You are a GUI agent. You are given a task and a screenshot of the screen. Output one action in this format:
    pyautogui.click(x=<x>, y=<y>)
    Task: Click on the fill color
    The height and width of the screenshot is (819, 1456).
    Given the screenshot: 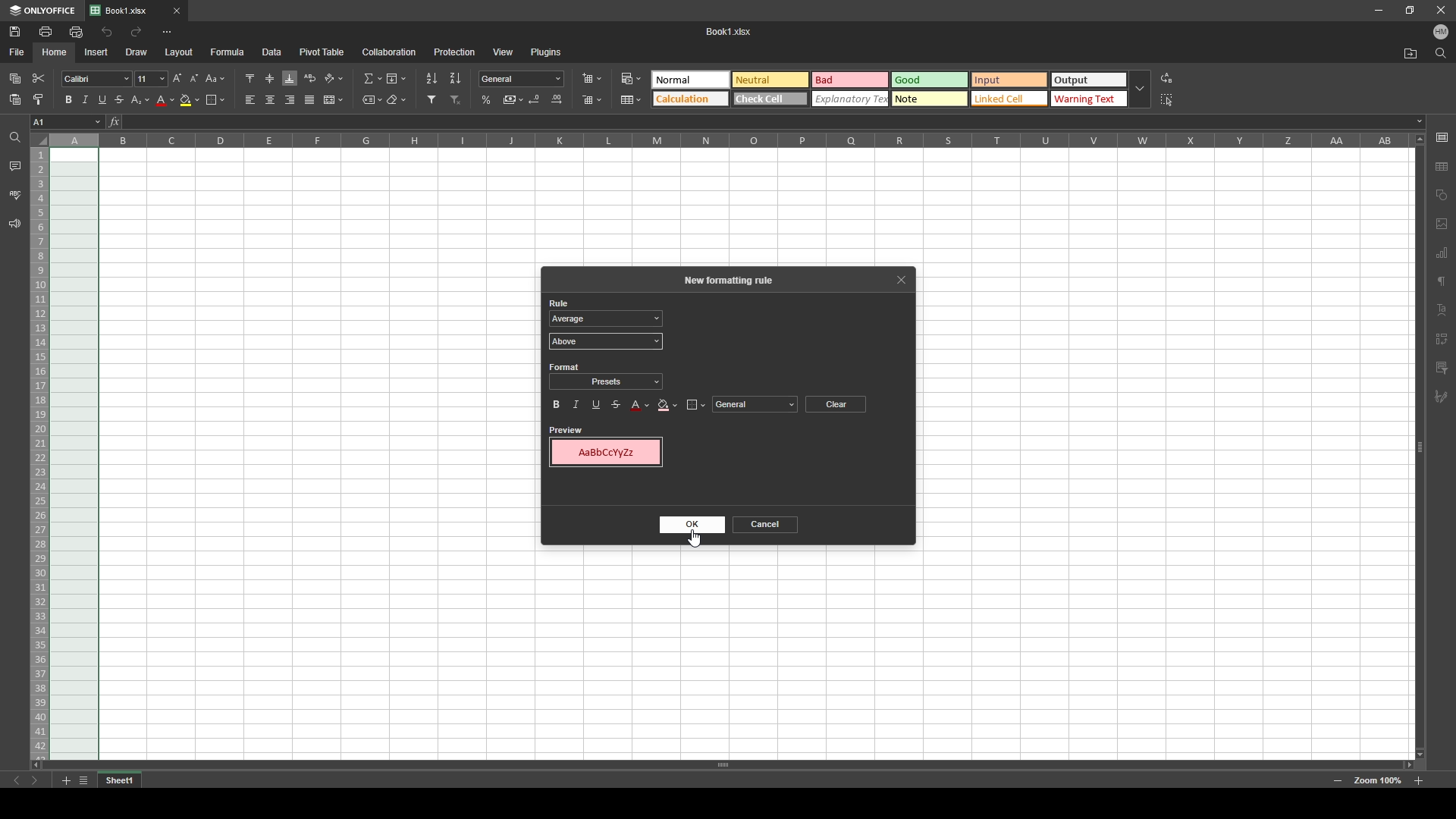 What is the action you would take?
    pyautogui.click(x=190, y=100)
    